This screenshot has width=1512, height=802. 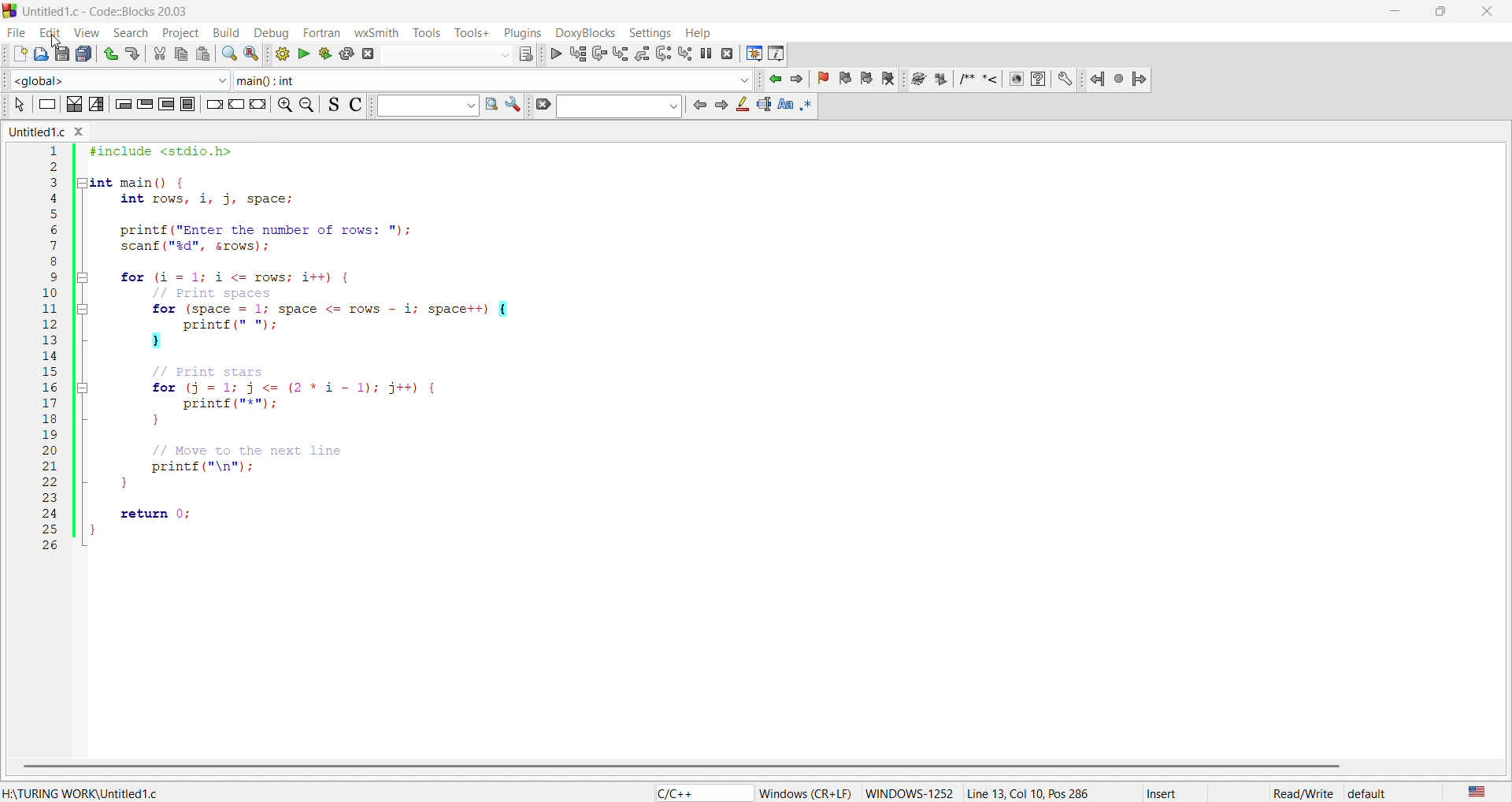 I want to click on search, so click(x=229, y=54).